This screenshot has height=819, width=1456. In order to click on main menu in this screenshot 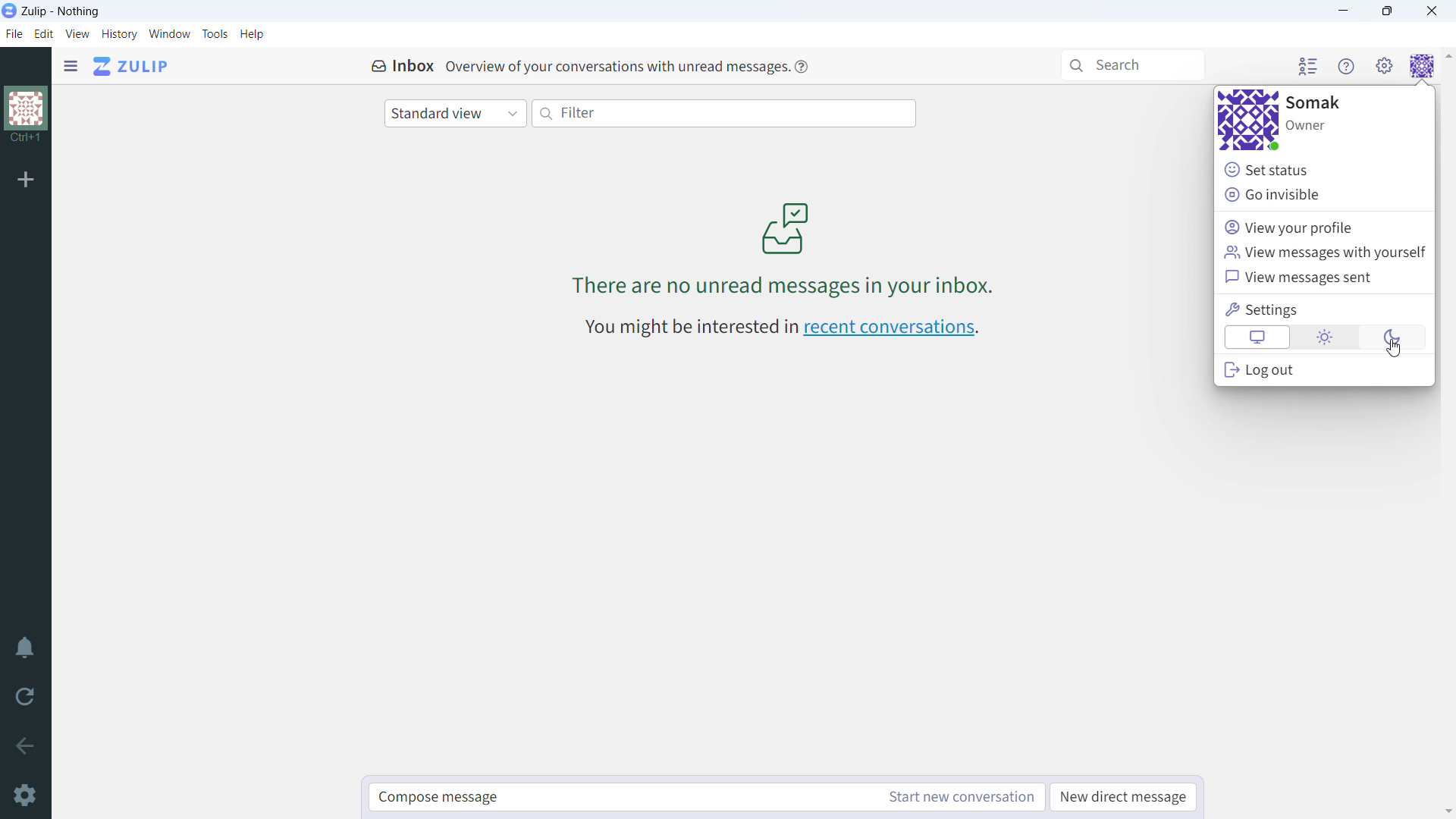, I will do `click(1385, 64)`.